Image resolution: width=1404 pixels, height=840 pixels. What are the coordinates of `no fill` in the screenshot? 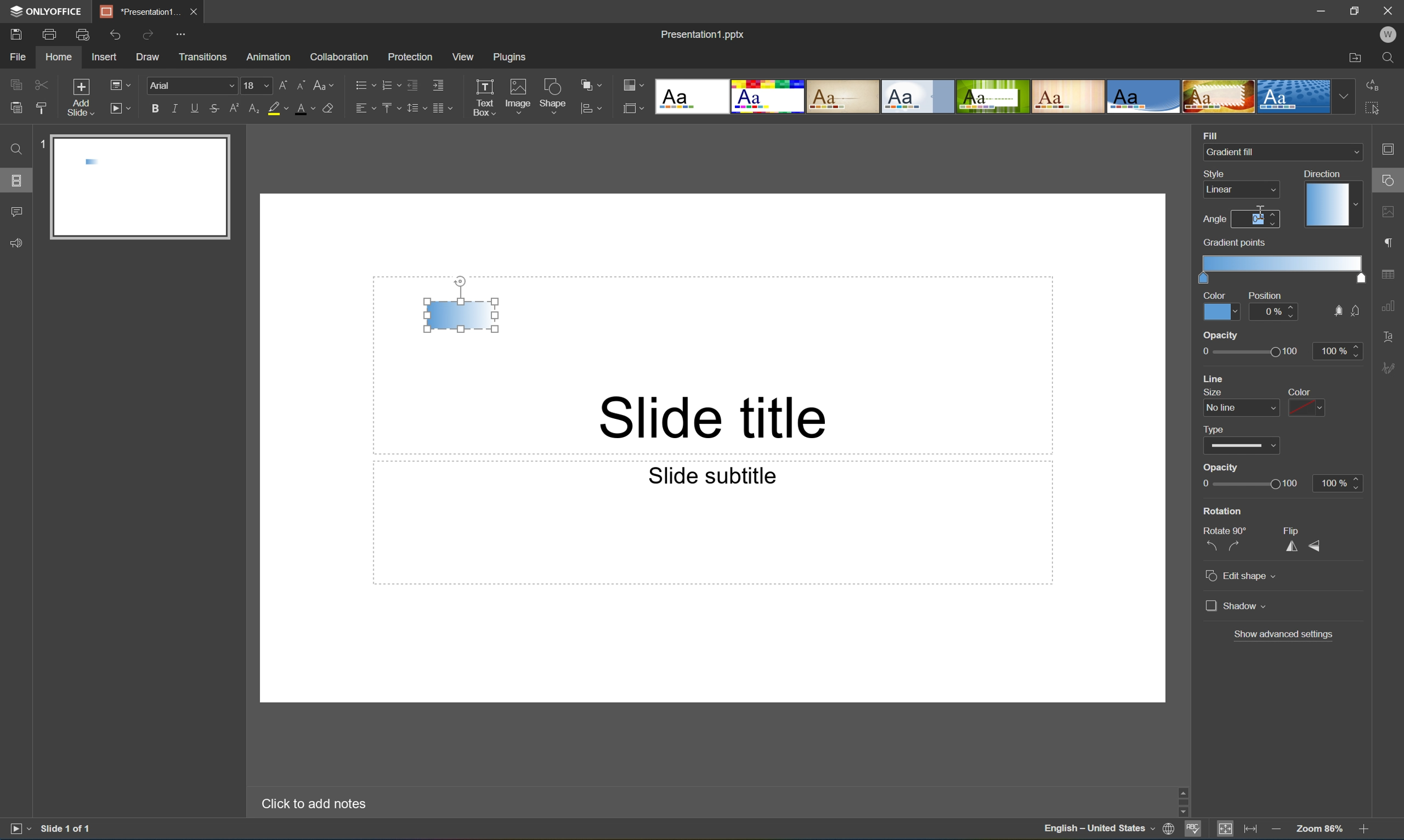 It's located at (1356, 311).